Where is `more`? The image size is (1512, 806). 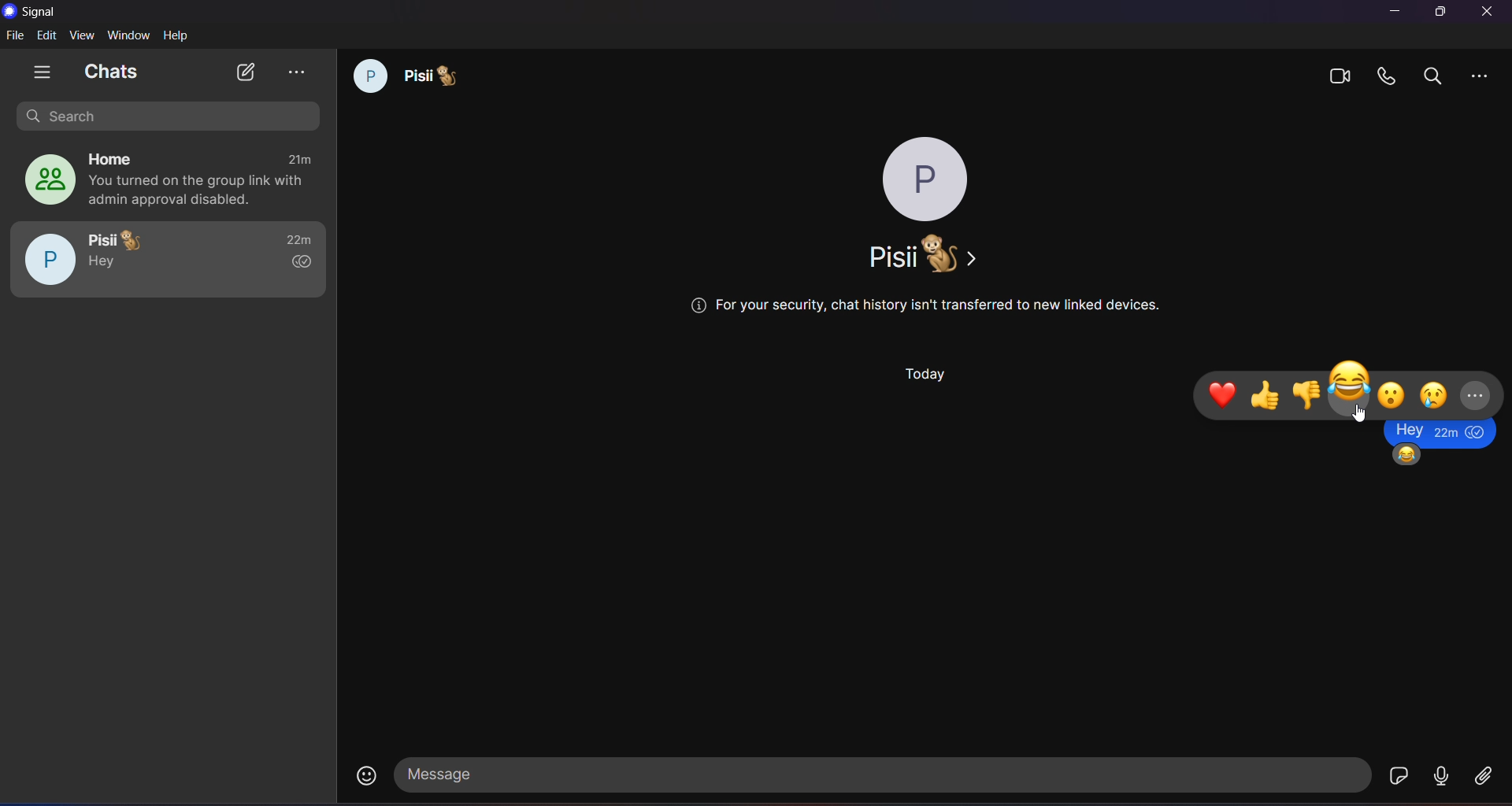 more is located at coordinates (1481, 73).